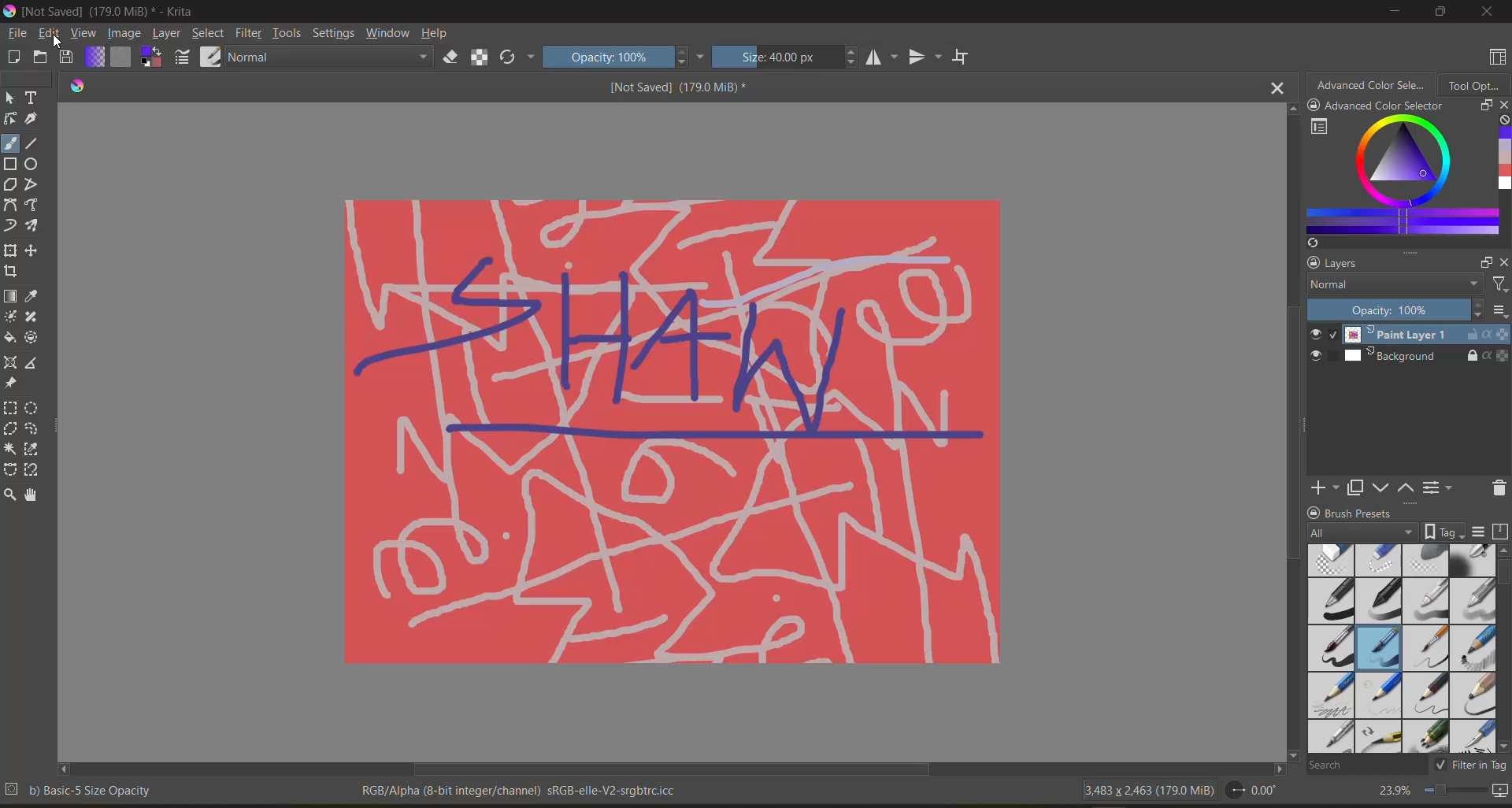 Image resolution: width=1512 pixels, height=808 pixels. Describe the element at coordinates (12, 384) in the screenshot. I see `Reference image tool` at that location.